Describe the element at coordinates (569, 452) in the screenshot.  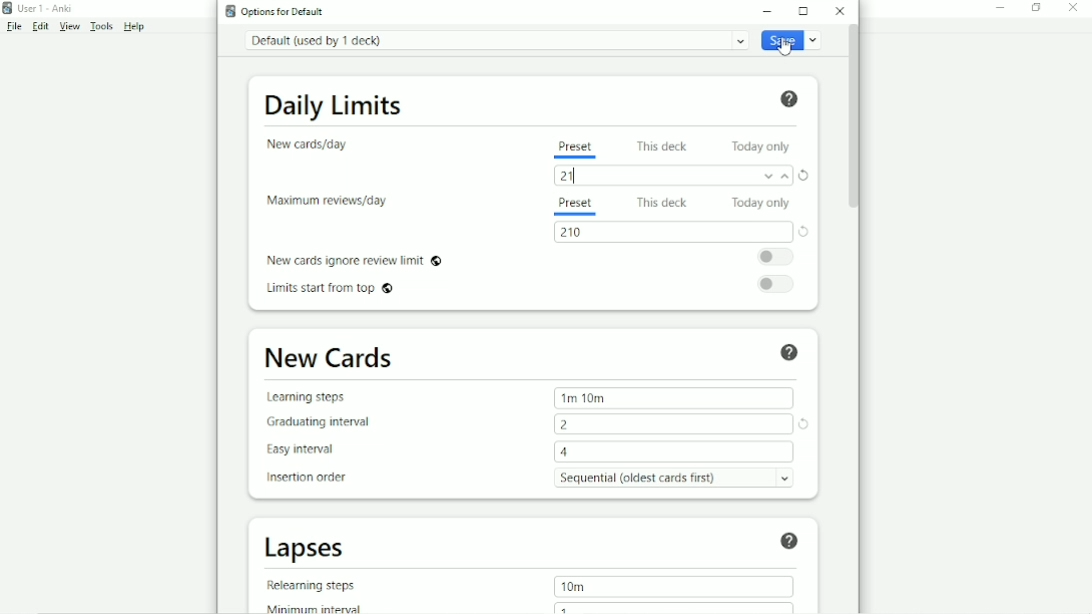
I see `4` at that location.